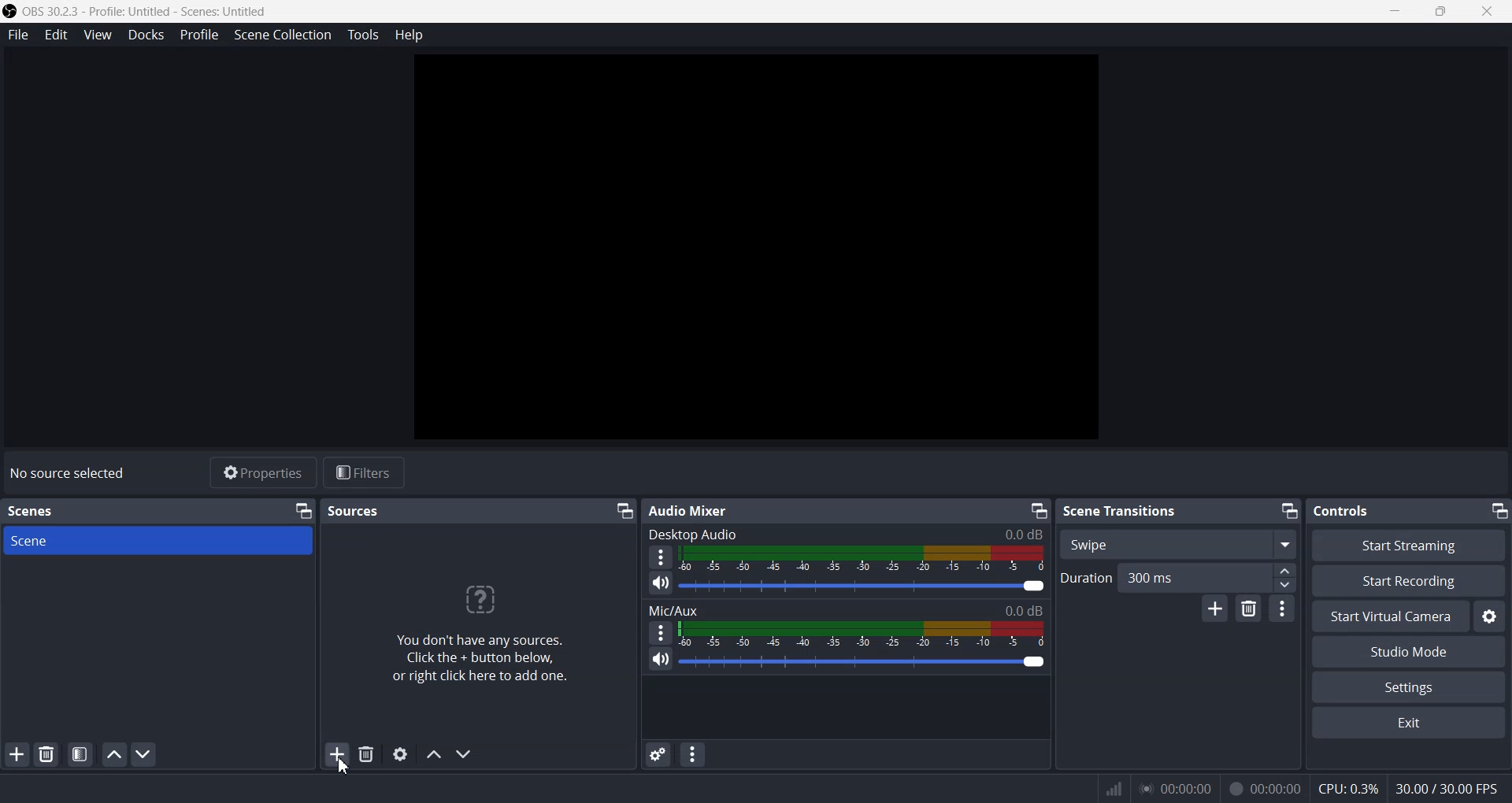 This screenshot has height=803, width=1512. I want to click on Minimize, so click(623, 512).